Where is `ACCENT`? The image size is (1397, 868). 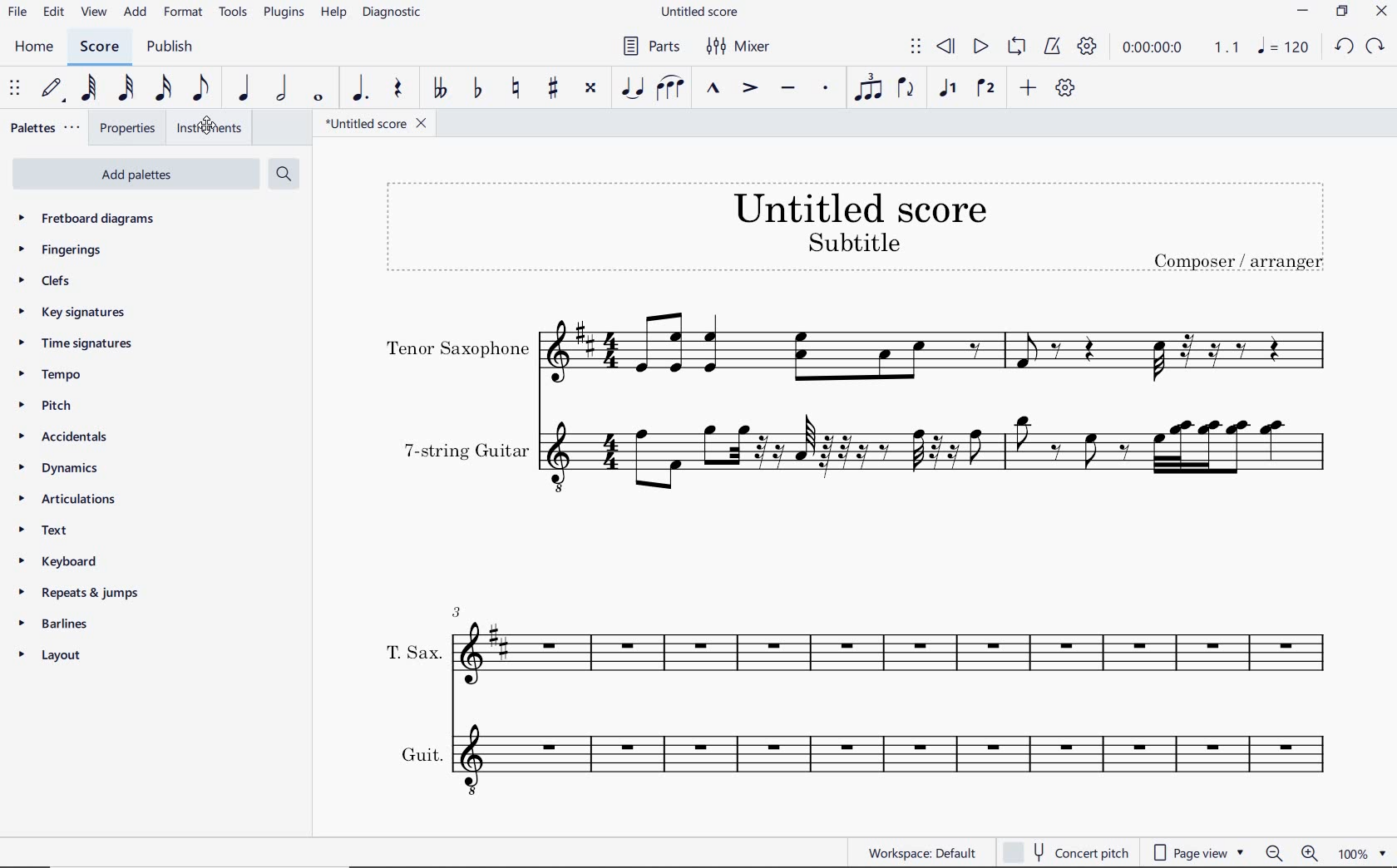
ACCENT is located at coordinates (749, 89).